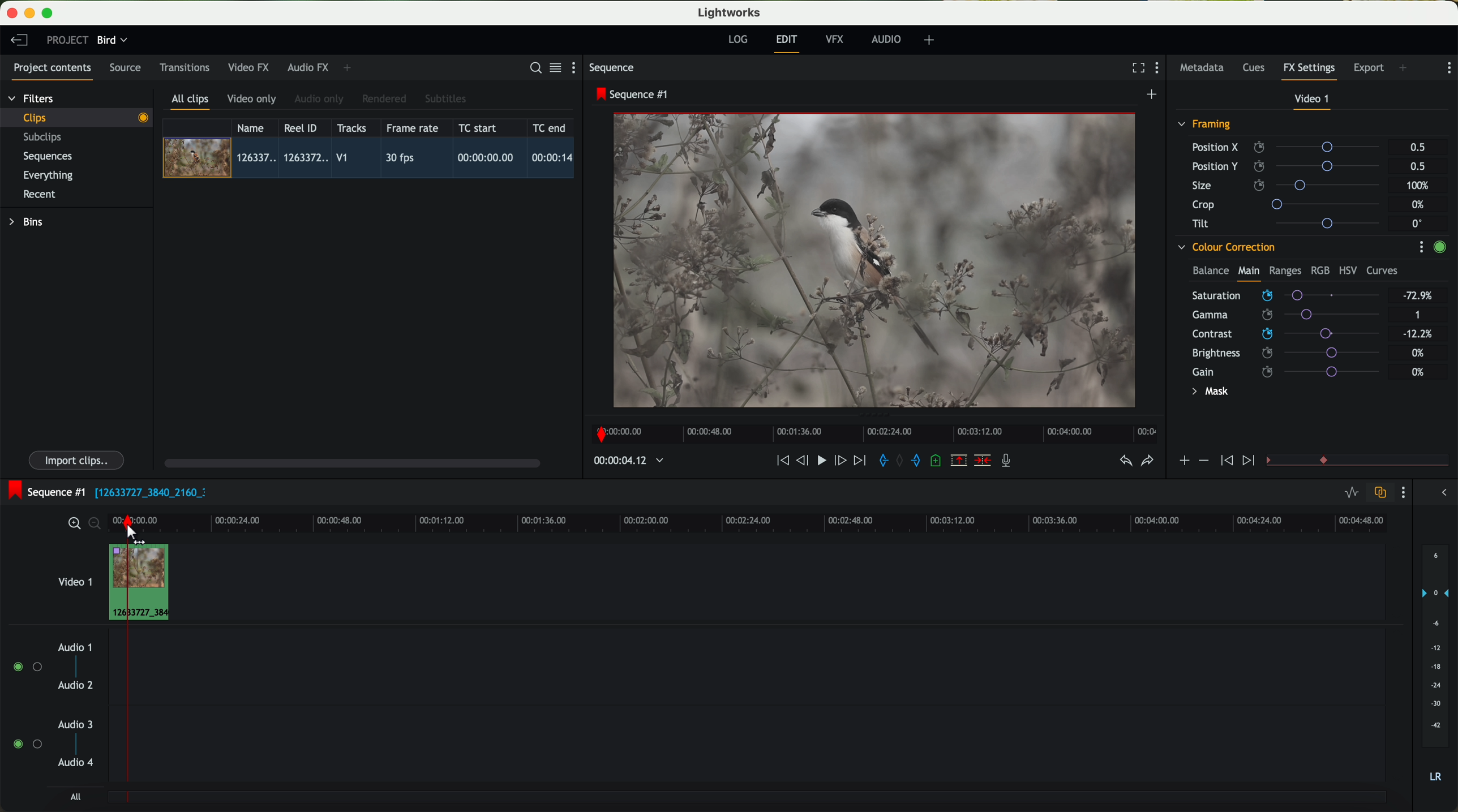 The width and height of the screenshot is (1458, 812). What do you see at coordinates (77, 117) in the screenshot?
I see `clips` at bounding box center [77, 117].